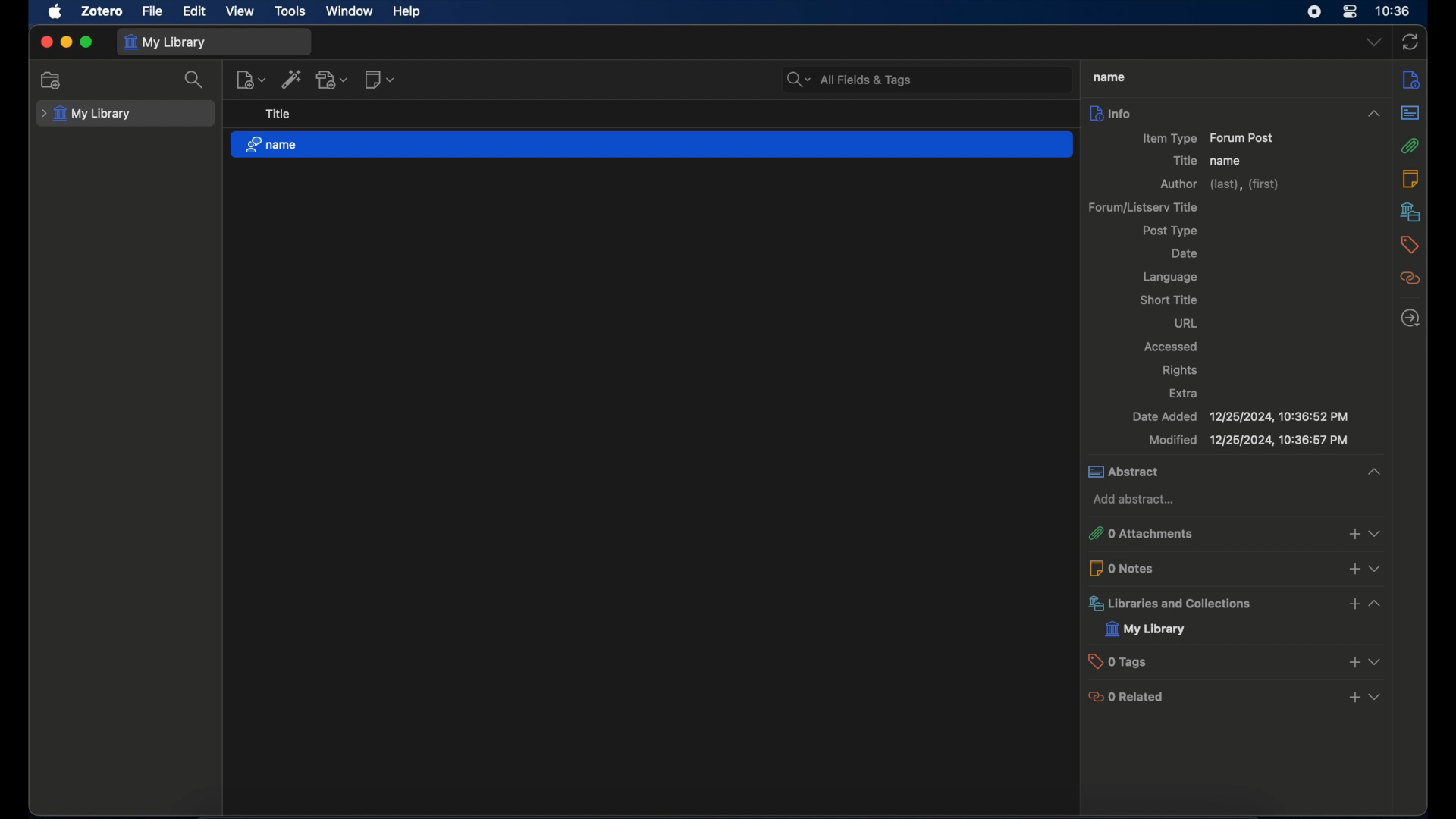 This screenshot has width=1456, height=819. What do you see at coordinates (1146, 629) in the screenshot?
I see `my library` at bounding box center [1146, 629].